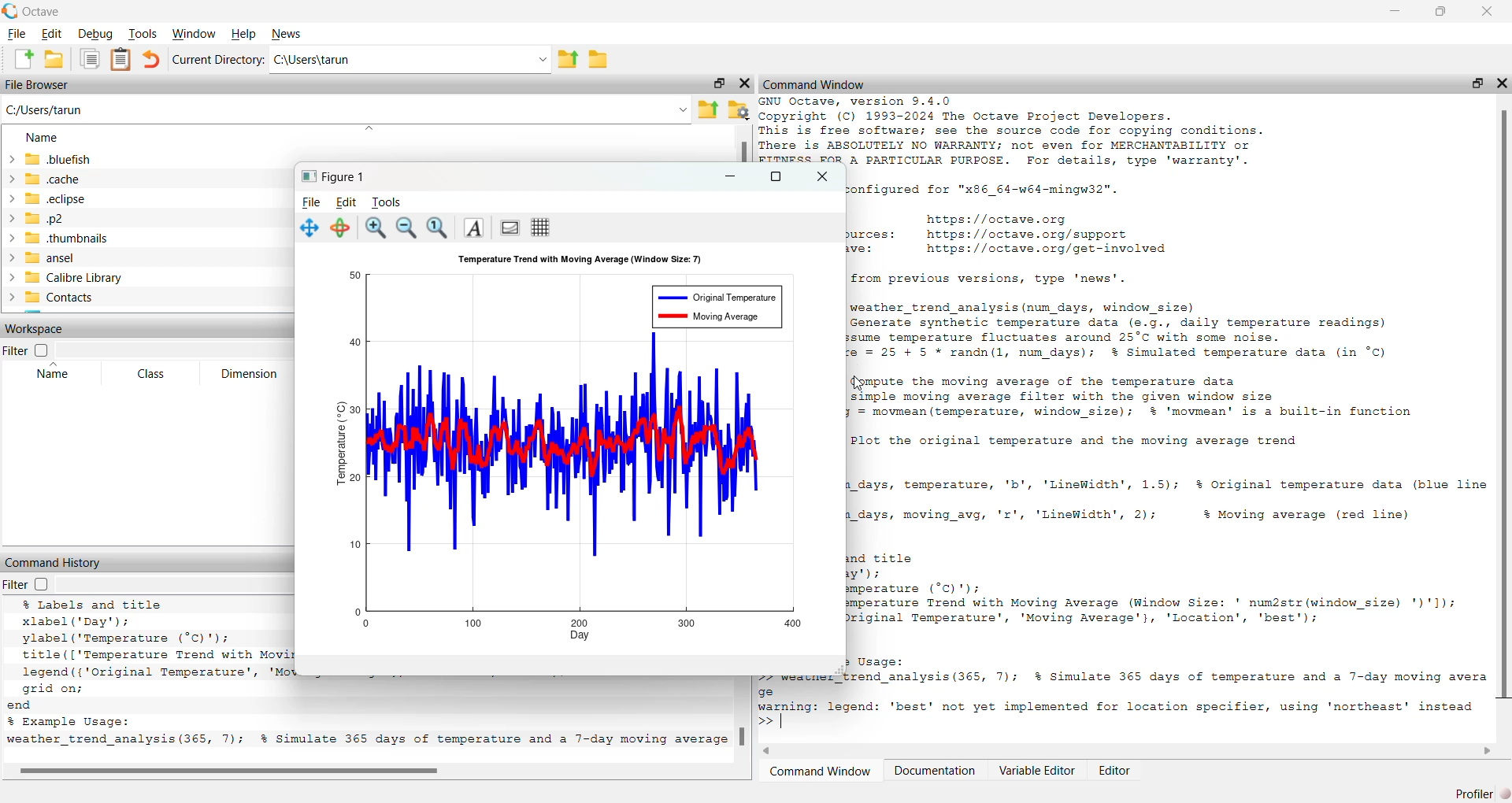 The height and width of the screenshot is (803, 1512). I want to click on Help, so click(243, 33).